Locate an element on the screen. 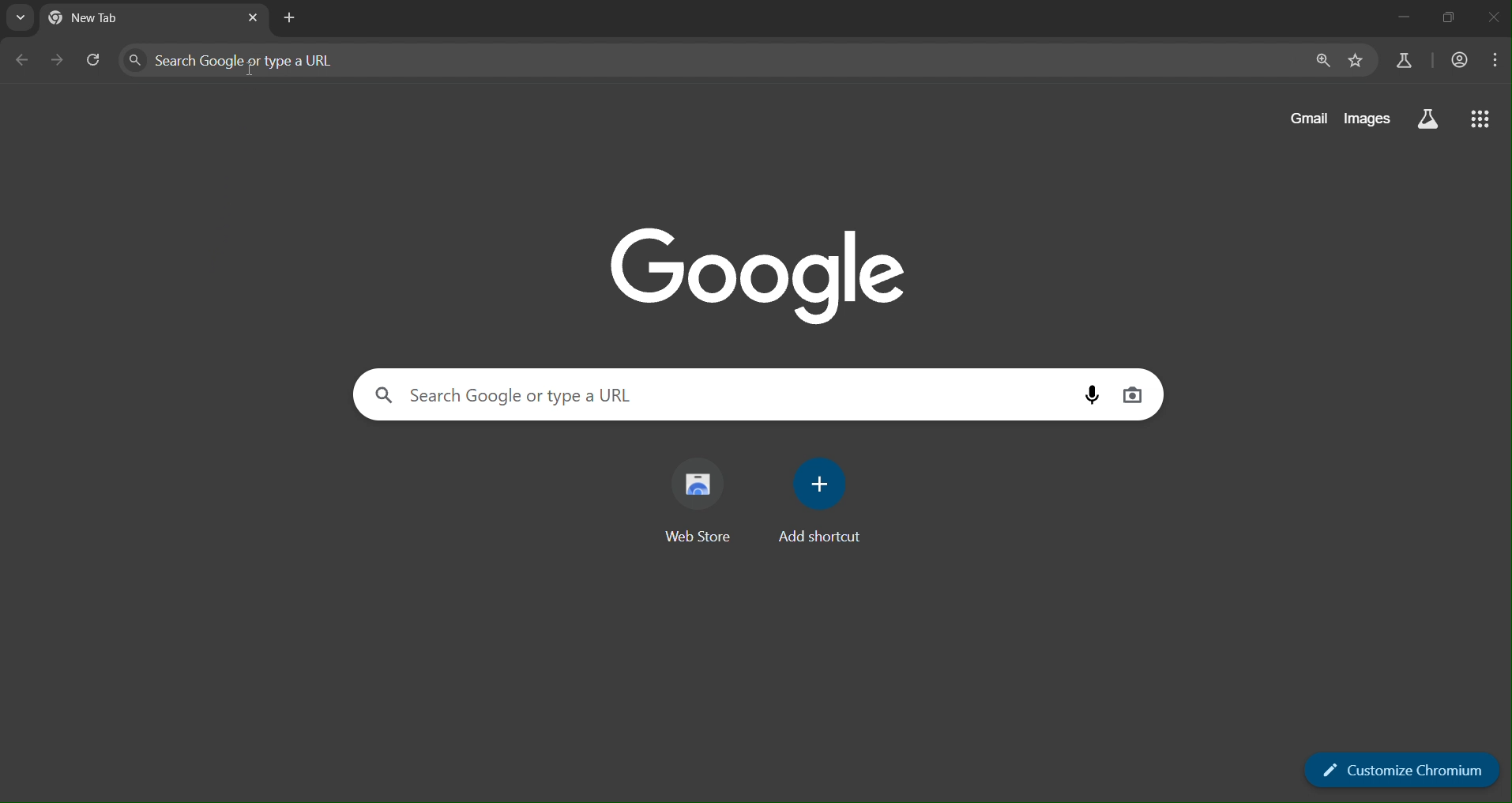 Image resolution: width=1512 pixels, height=803 pixels. search labs is located at coordinates (1406, 63).